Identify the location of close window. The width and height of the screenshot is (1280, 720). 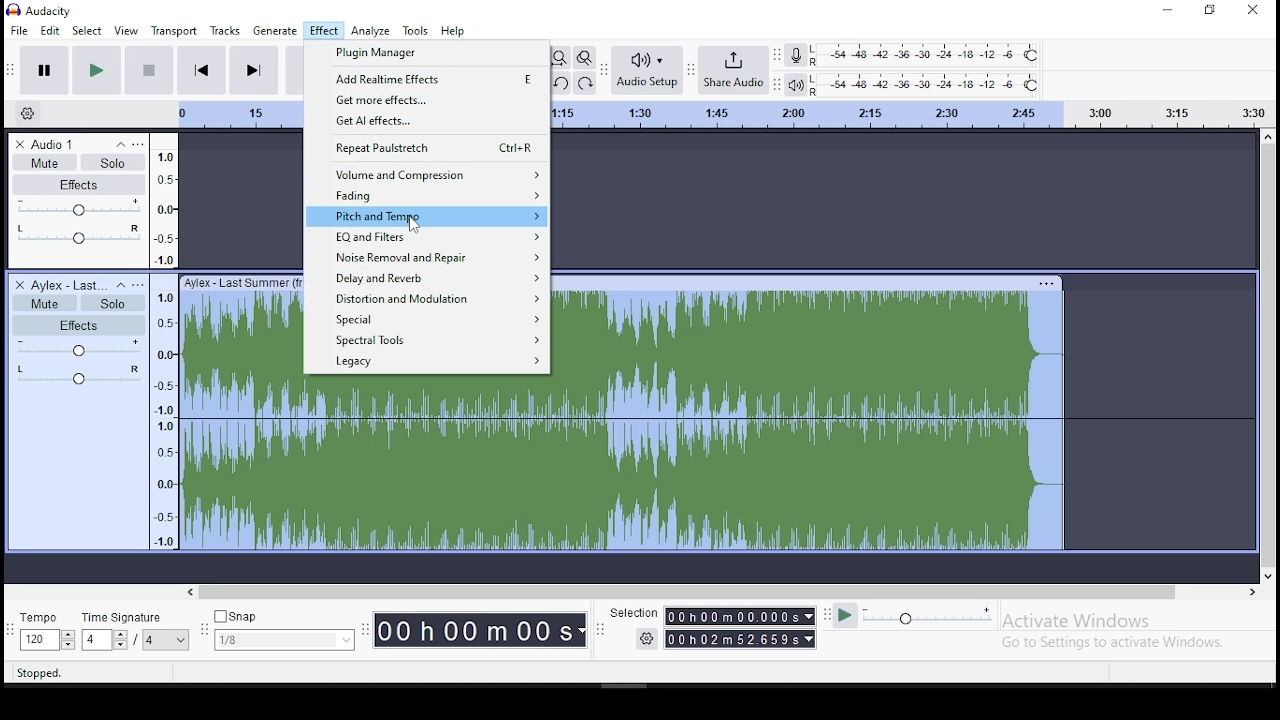
(1255, 10).